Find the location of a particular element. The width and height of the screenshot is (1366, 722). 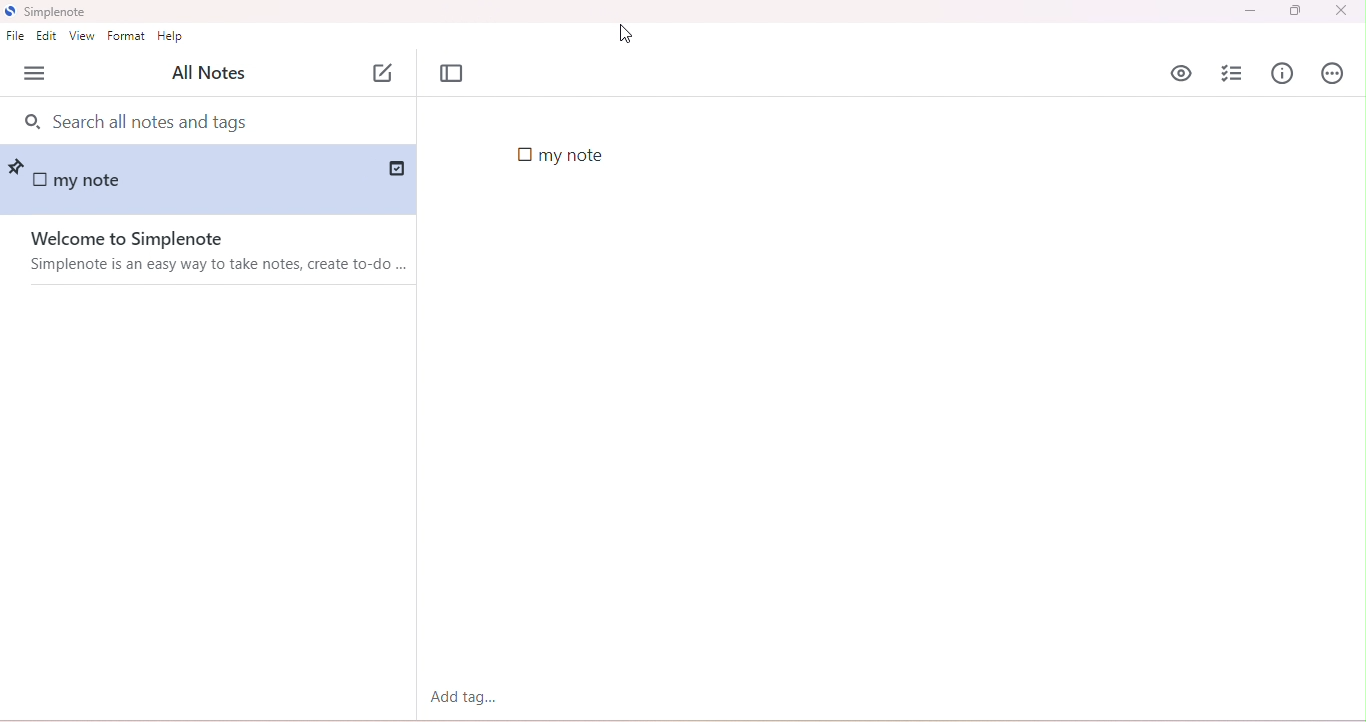

insert checklist is located at coordinates (1231, 75).